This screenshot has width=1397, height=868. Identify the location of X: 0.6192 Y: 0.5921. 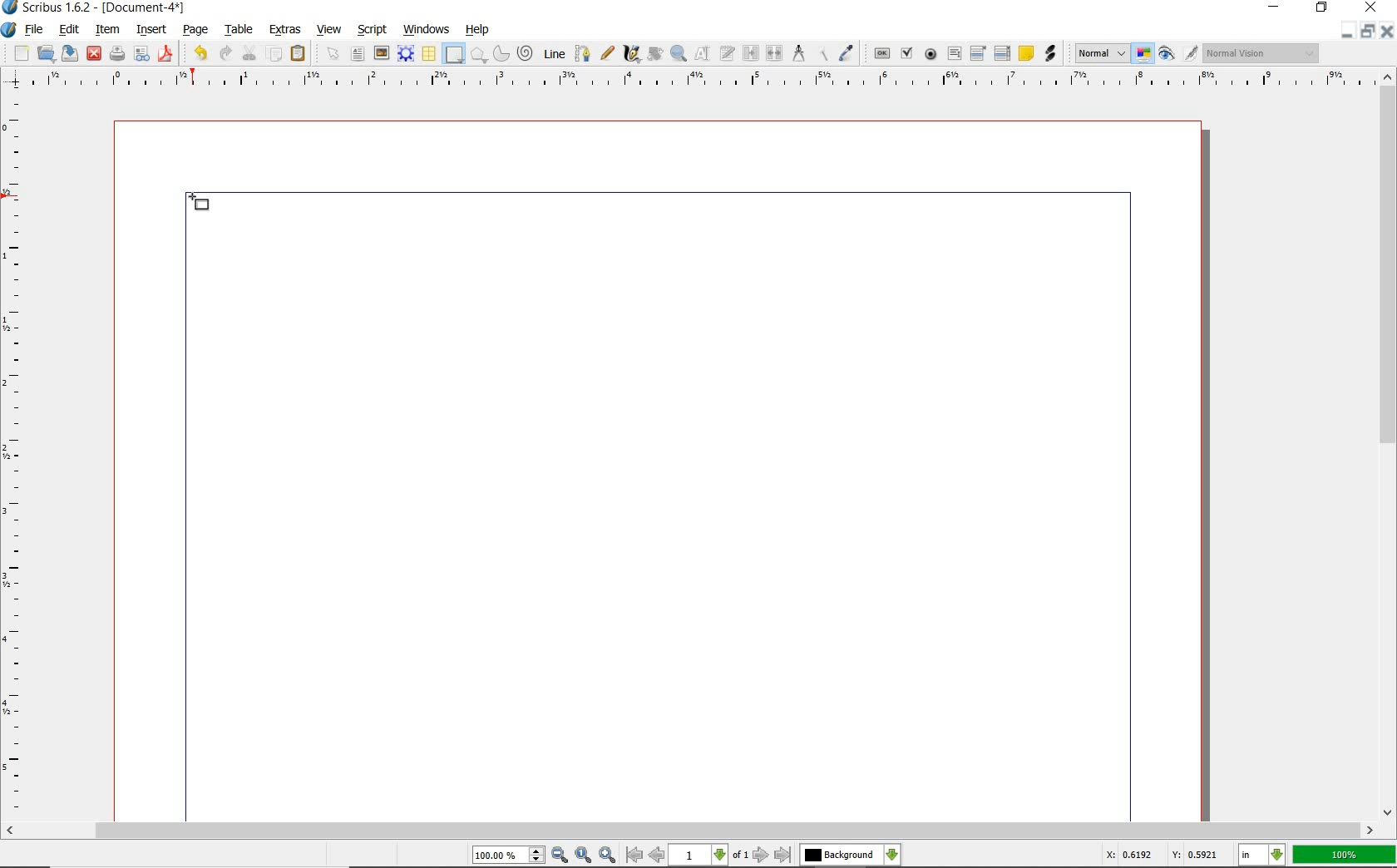
(1159, 855).